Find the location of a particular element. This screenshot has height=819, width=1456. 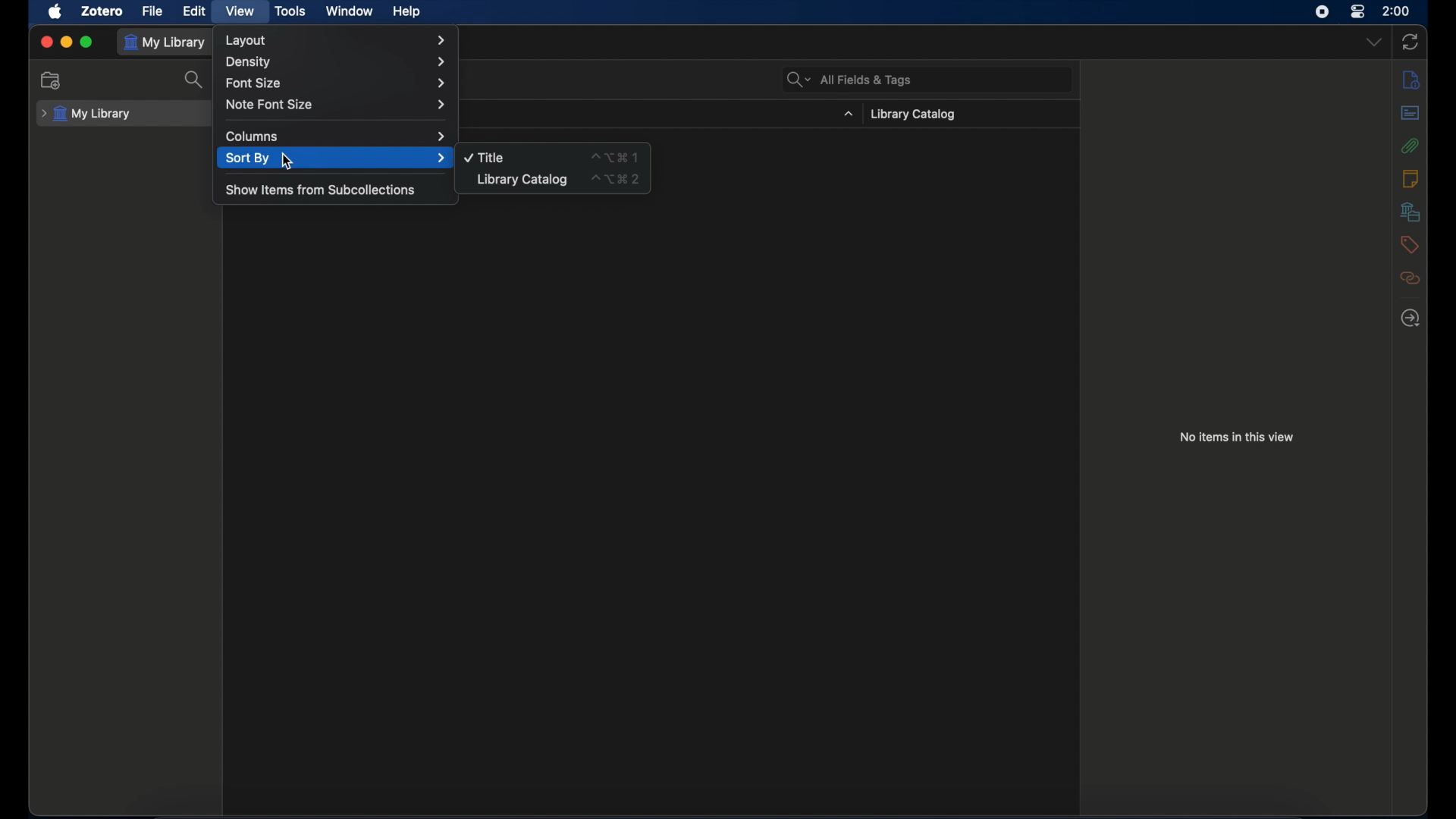

edit is located at coordinates (196, 11).